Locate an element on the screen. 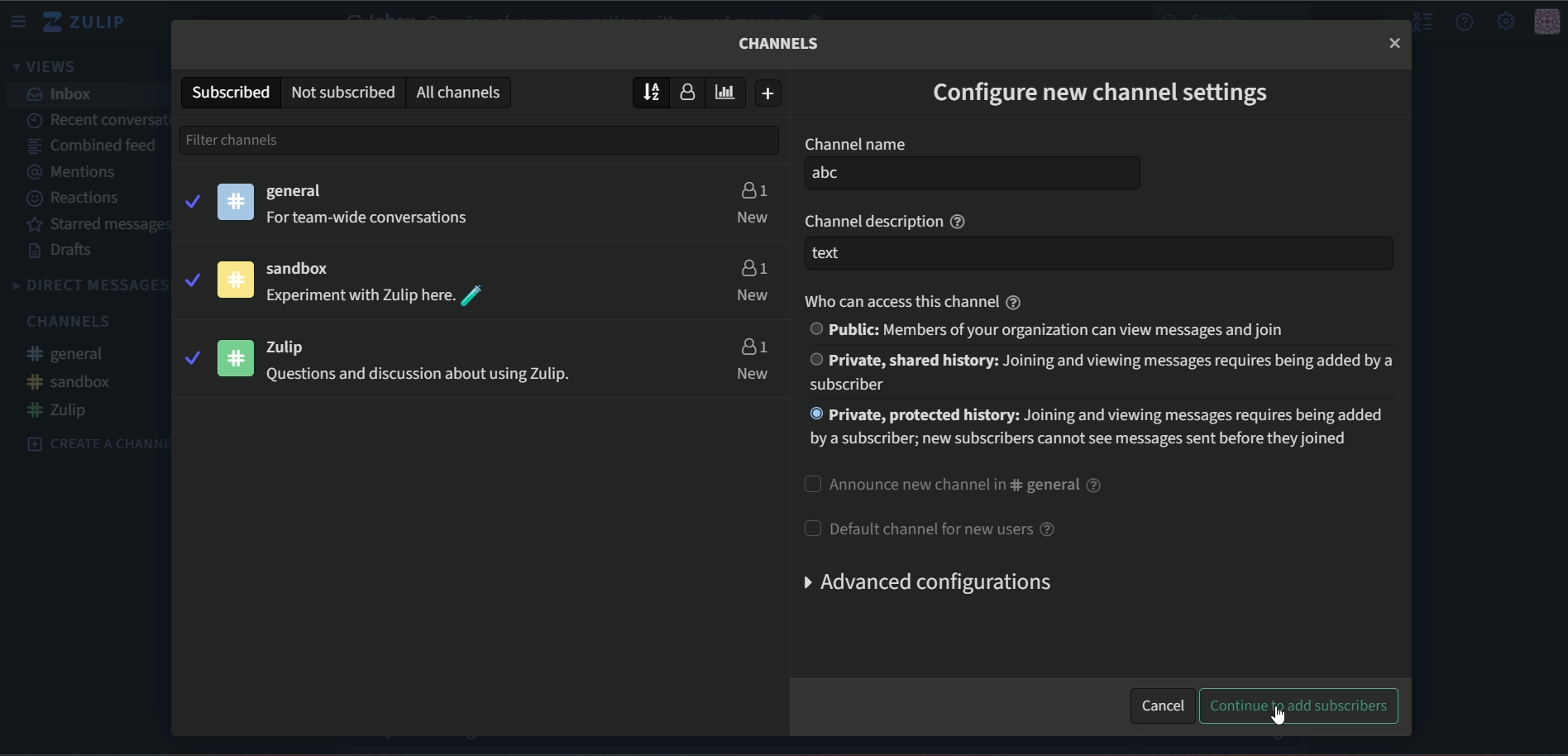 Image resolution: width=1568 pixels, height=756 pixels. direct messages is located at coordinates (88, 285).